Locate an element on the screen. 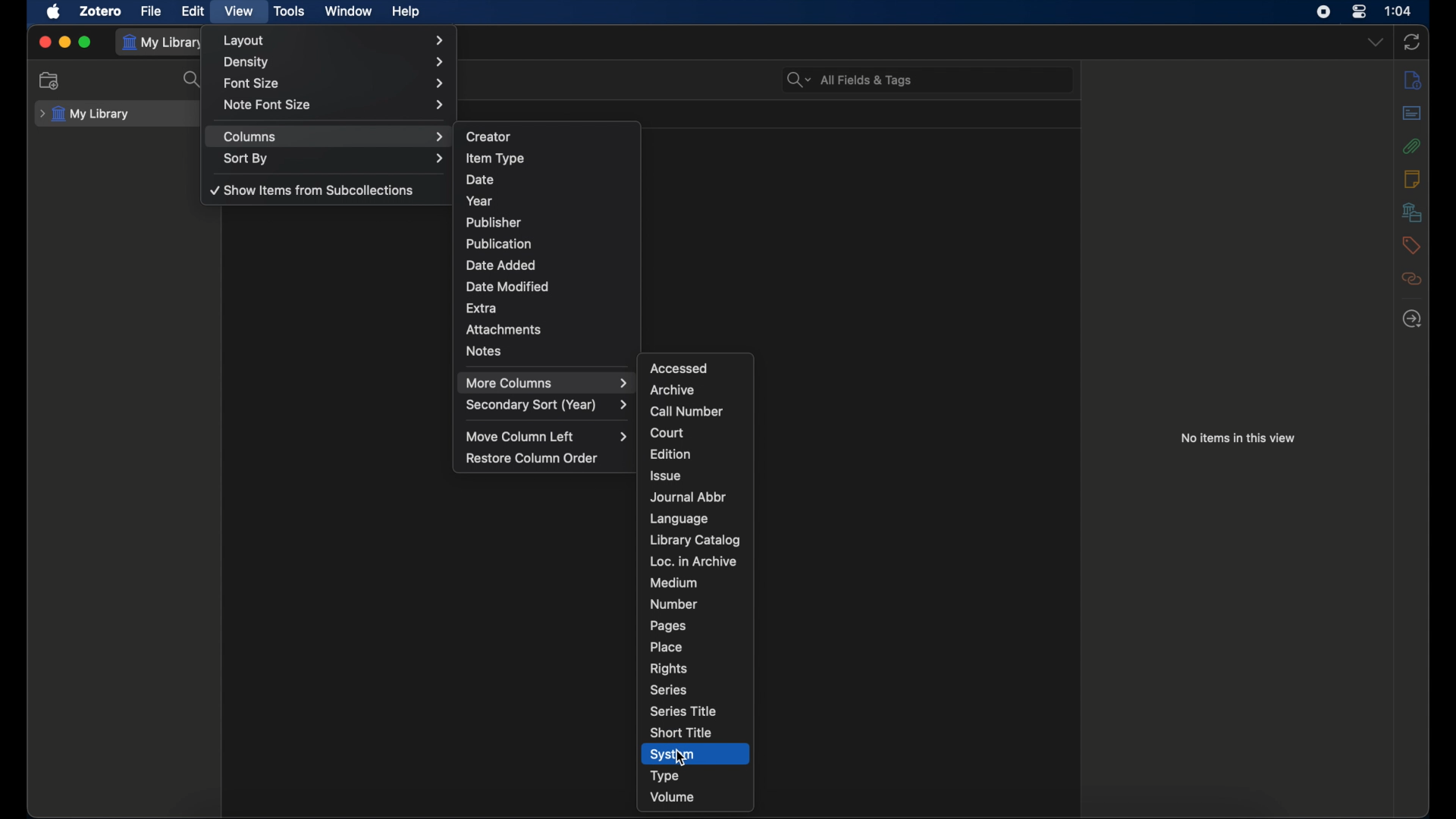  close is located at coordinates (46, 43).